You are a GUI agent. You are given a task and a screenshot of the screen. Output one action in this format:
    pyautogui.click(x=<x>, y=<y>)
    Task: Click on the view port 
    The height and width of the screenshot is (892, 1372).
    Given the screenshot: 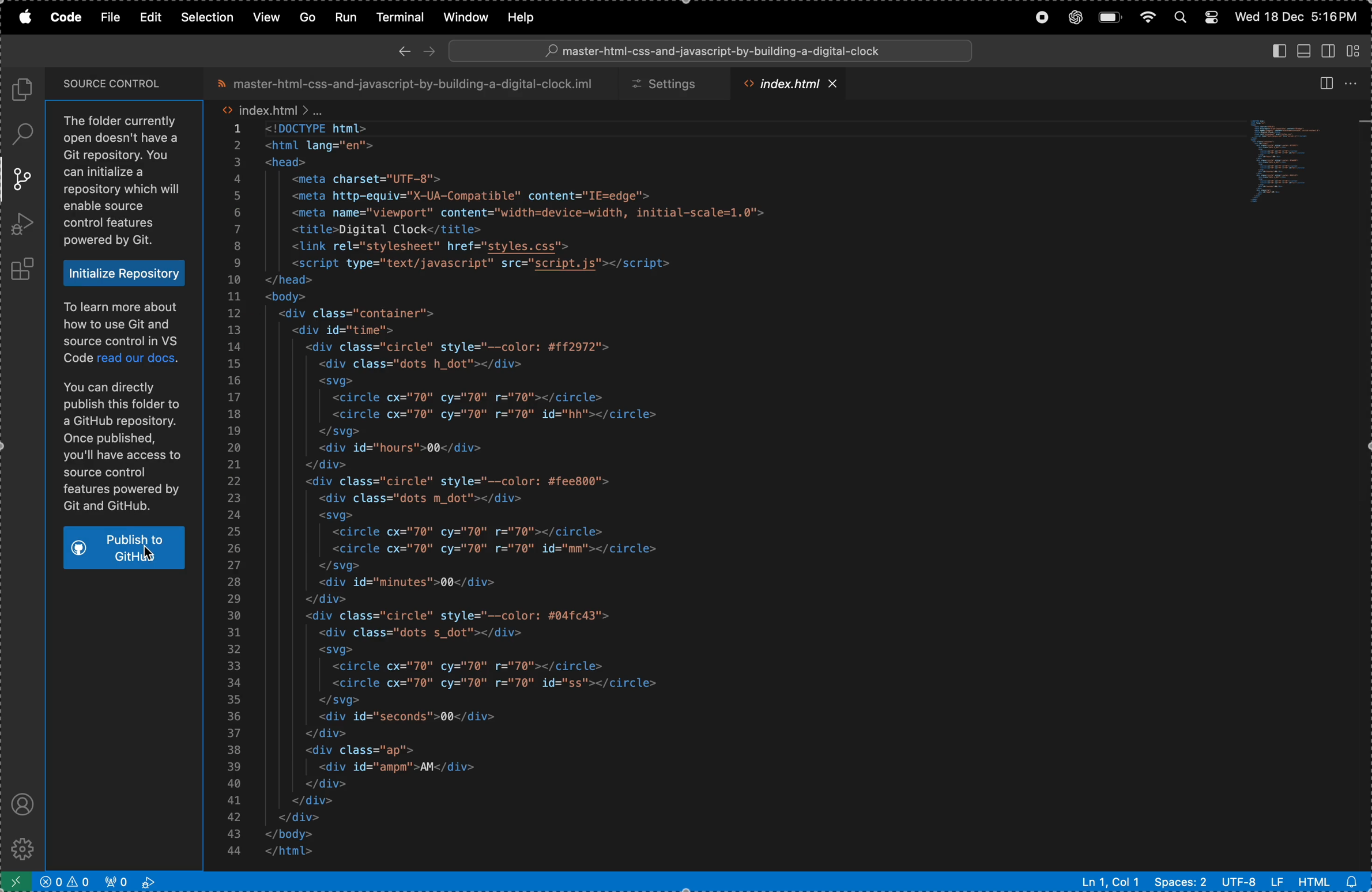 What is the action you would take?
    pyautogui.click(x=136, y=881)
    